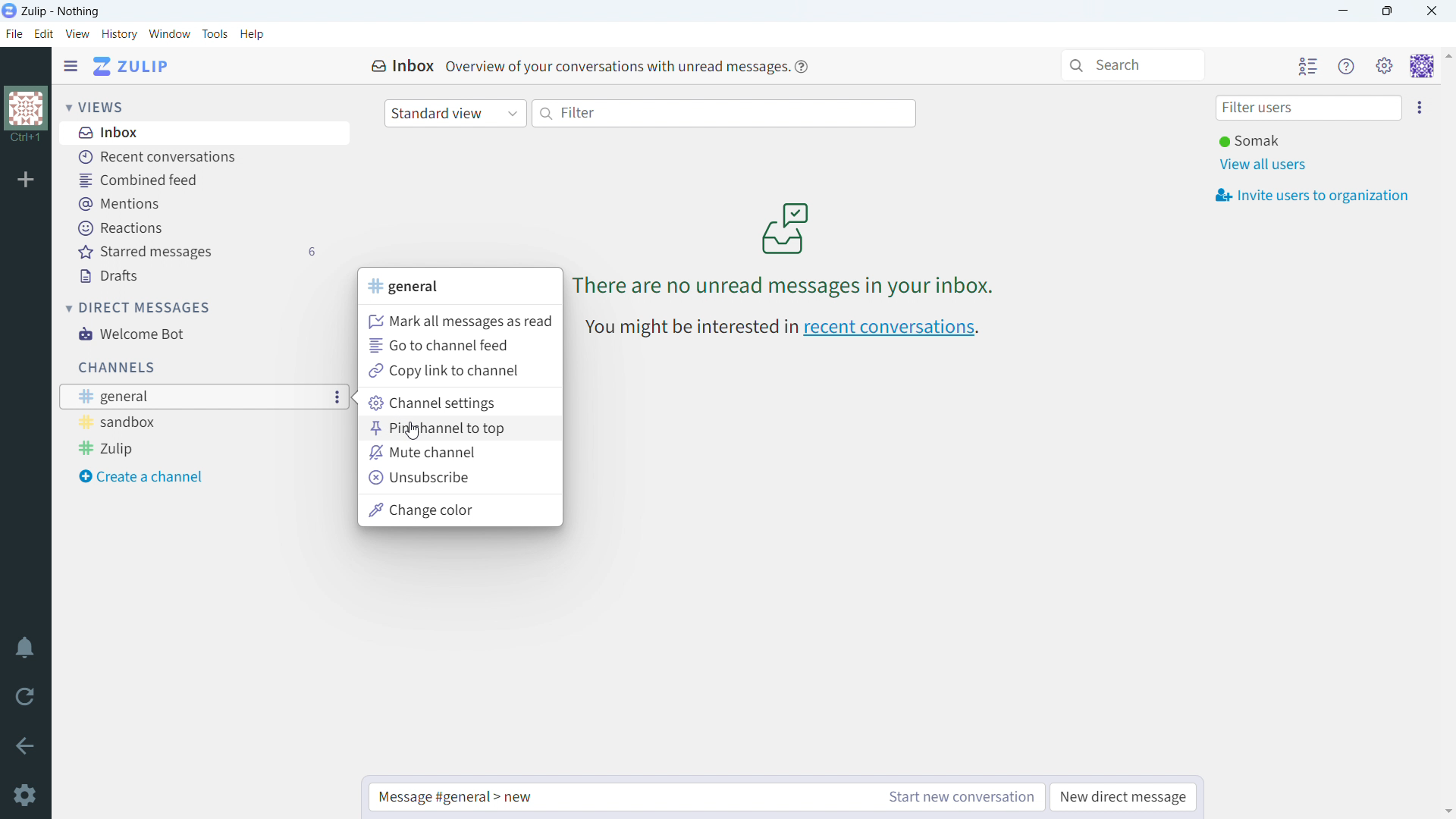 This screenshot has height=819, width=1456. What do you see at coordinates (1308, 108) in the screenshot?
I see `filter user` at bounding box center [1308, 108].